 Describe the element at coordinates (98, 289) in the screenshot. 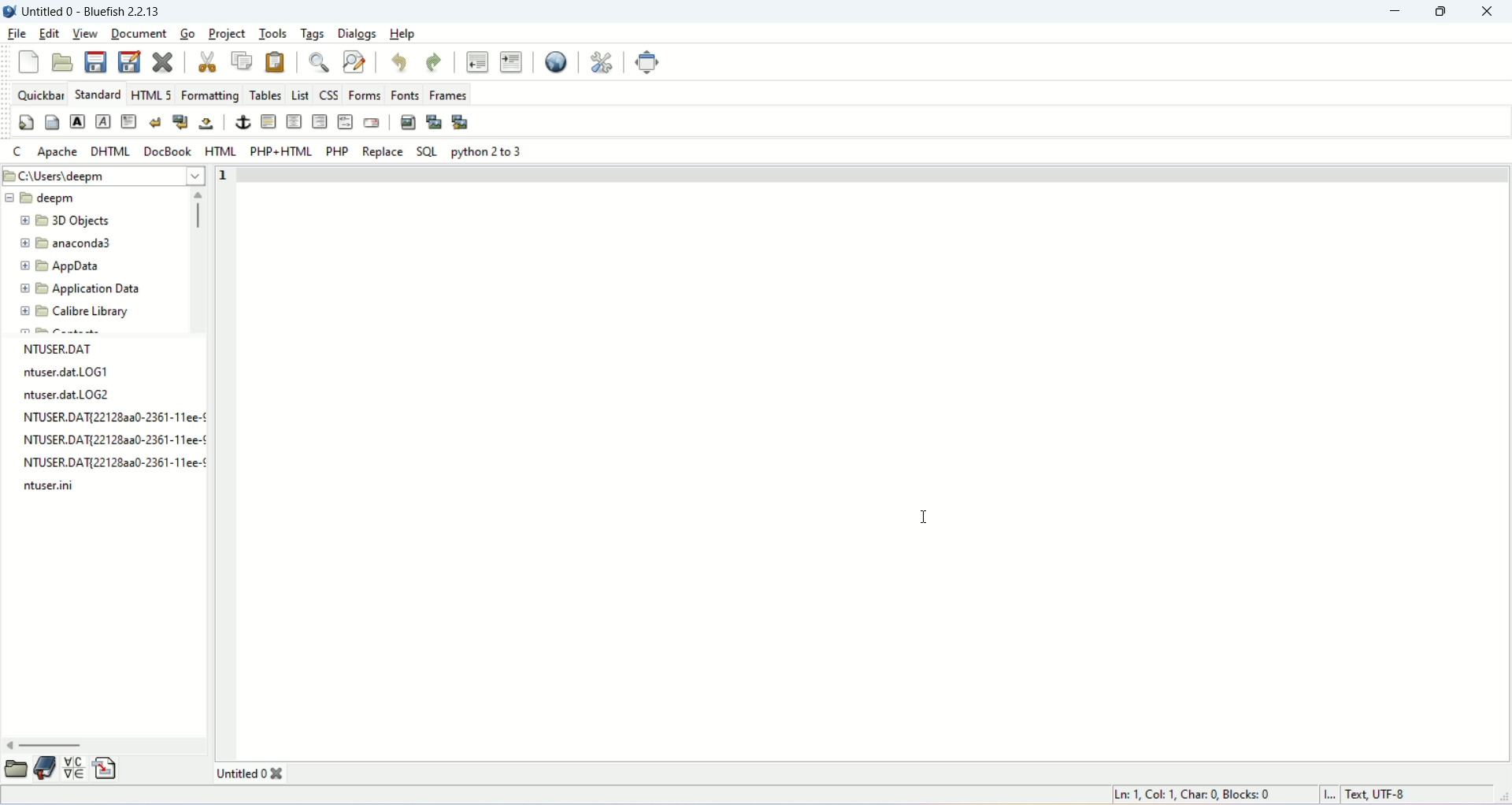

I see `Application Data` at that location.